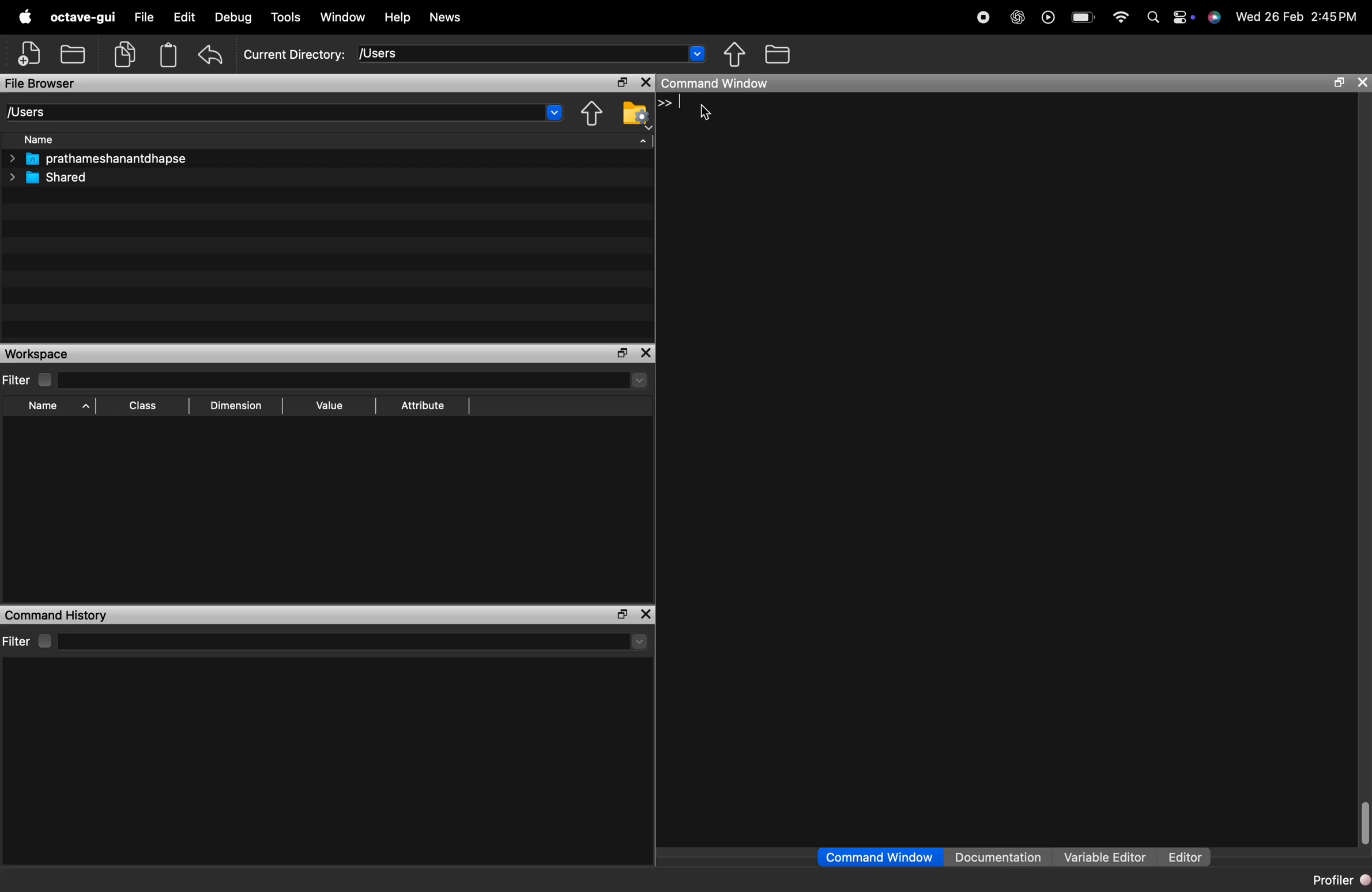 The width and height of the screenshot is (1372, 892). I want to click on Users, so click(38, 109).